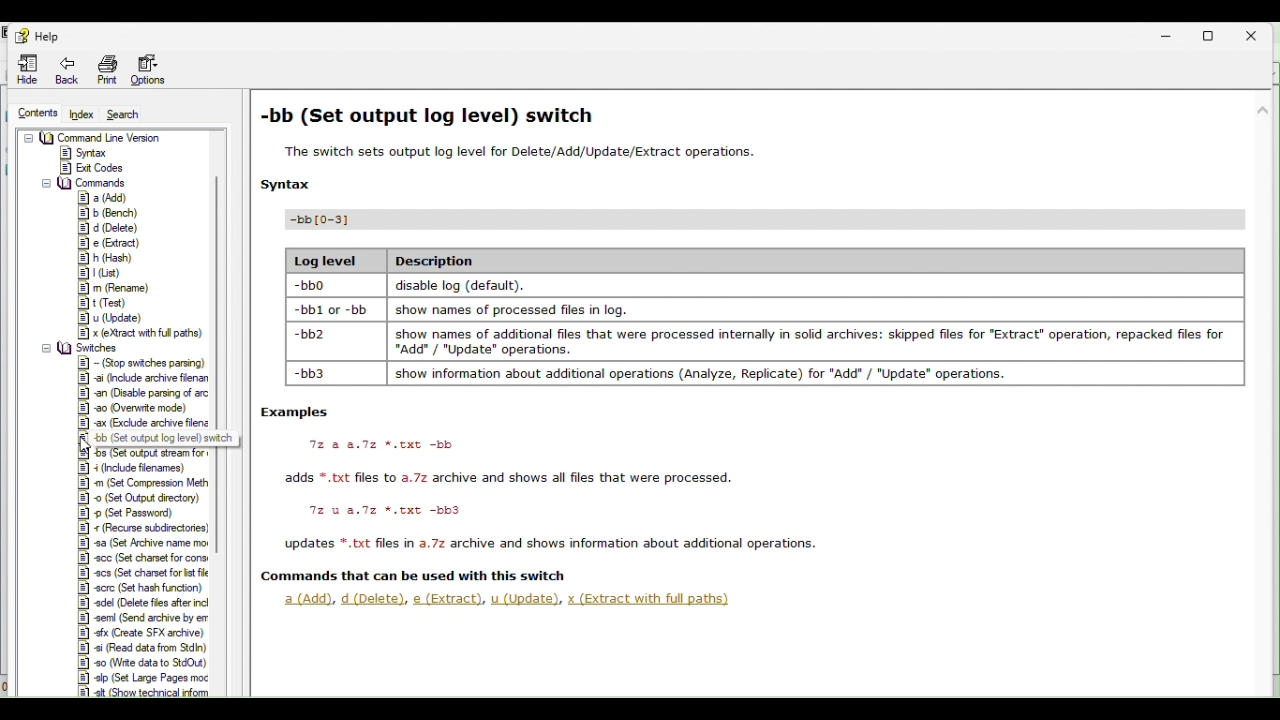 Image resolution: width=1280 pixels, height=720 pixels. Describe the element at coordinates (113, 318) in the screenshot. I see `#] u (Update)` at that location.